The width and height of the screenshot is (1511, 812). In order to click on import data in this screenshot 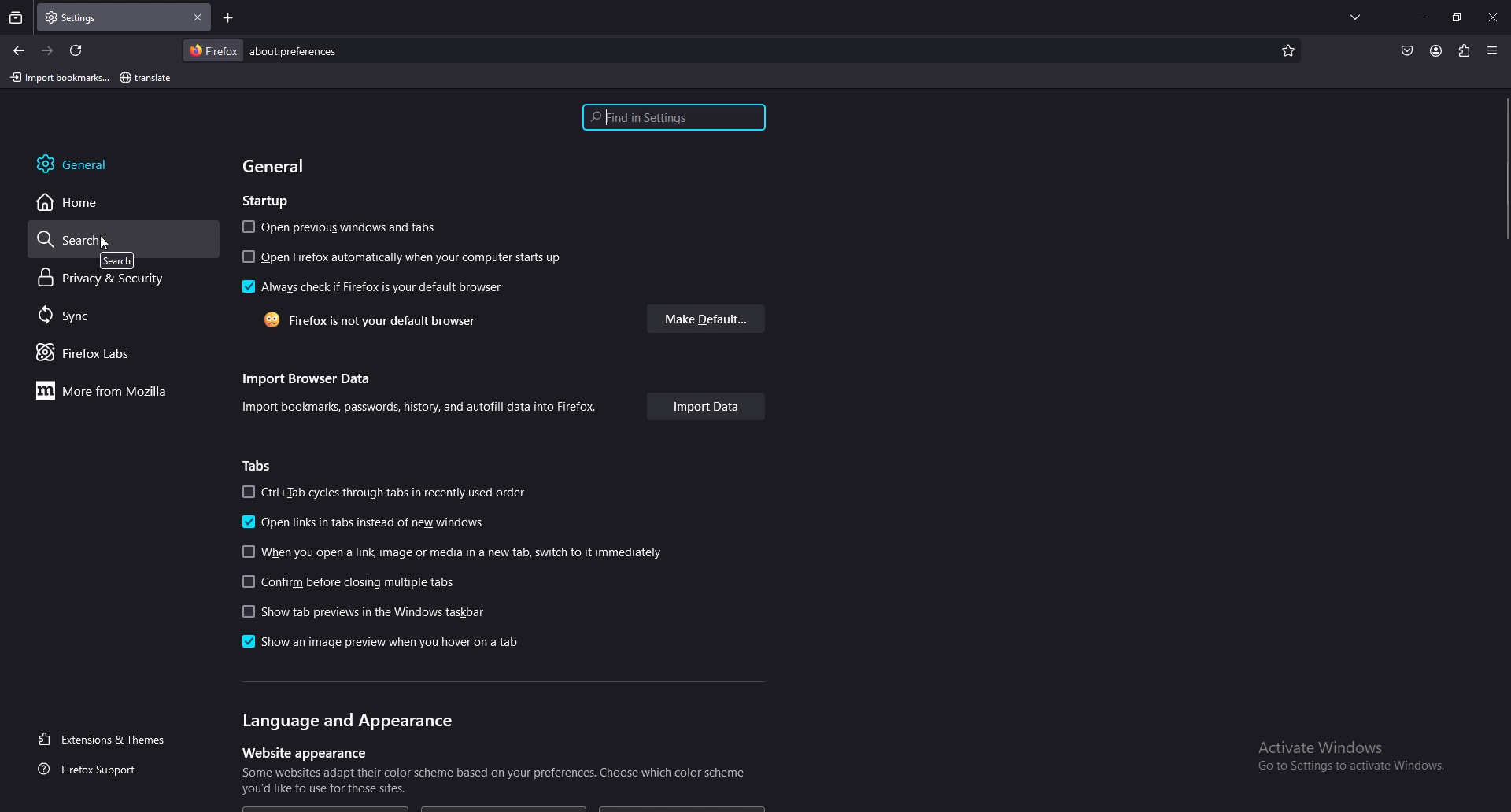, I will do `click(704, 407)`.